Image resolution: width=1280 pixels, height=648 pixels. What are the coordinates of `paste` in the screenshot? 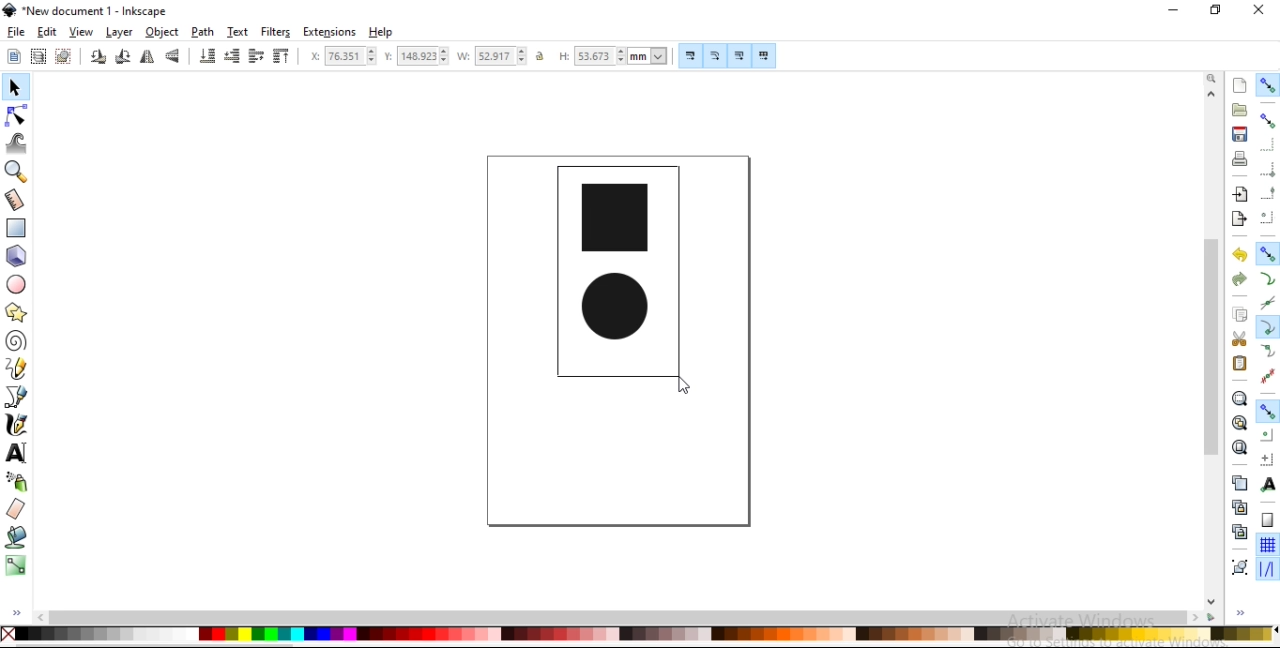 It's located at (1240, 364).